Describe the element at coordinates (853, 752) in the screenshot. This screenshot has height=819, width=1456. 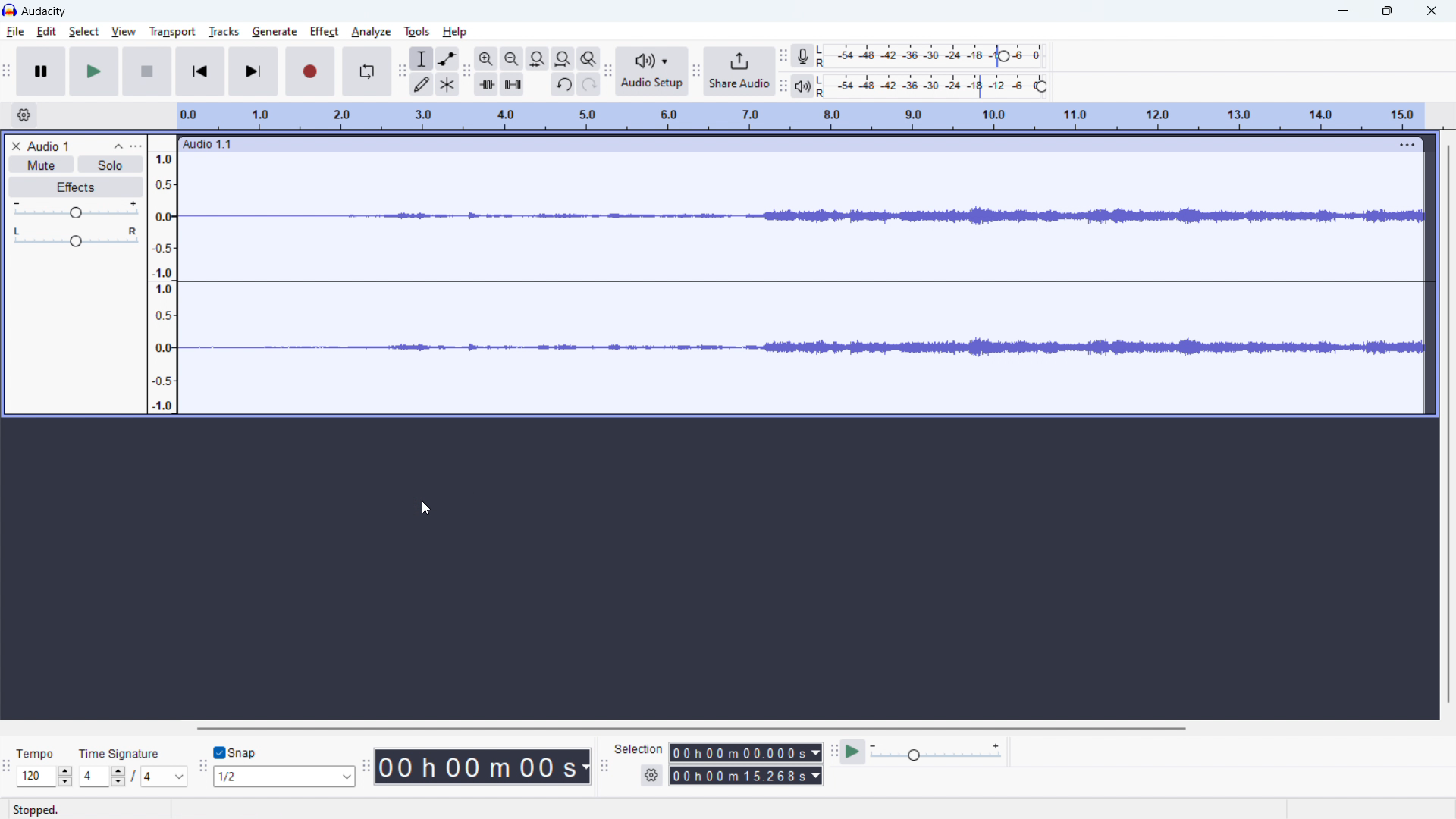
I see `play at speed` at that location.